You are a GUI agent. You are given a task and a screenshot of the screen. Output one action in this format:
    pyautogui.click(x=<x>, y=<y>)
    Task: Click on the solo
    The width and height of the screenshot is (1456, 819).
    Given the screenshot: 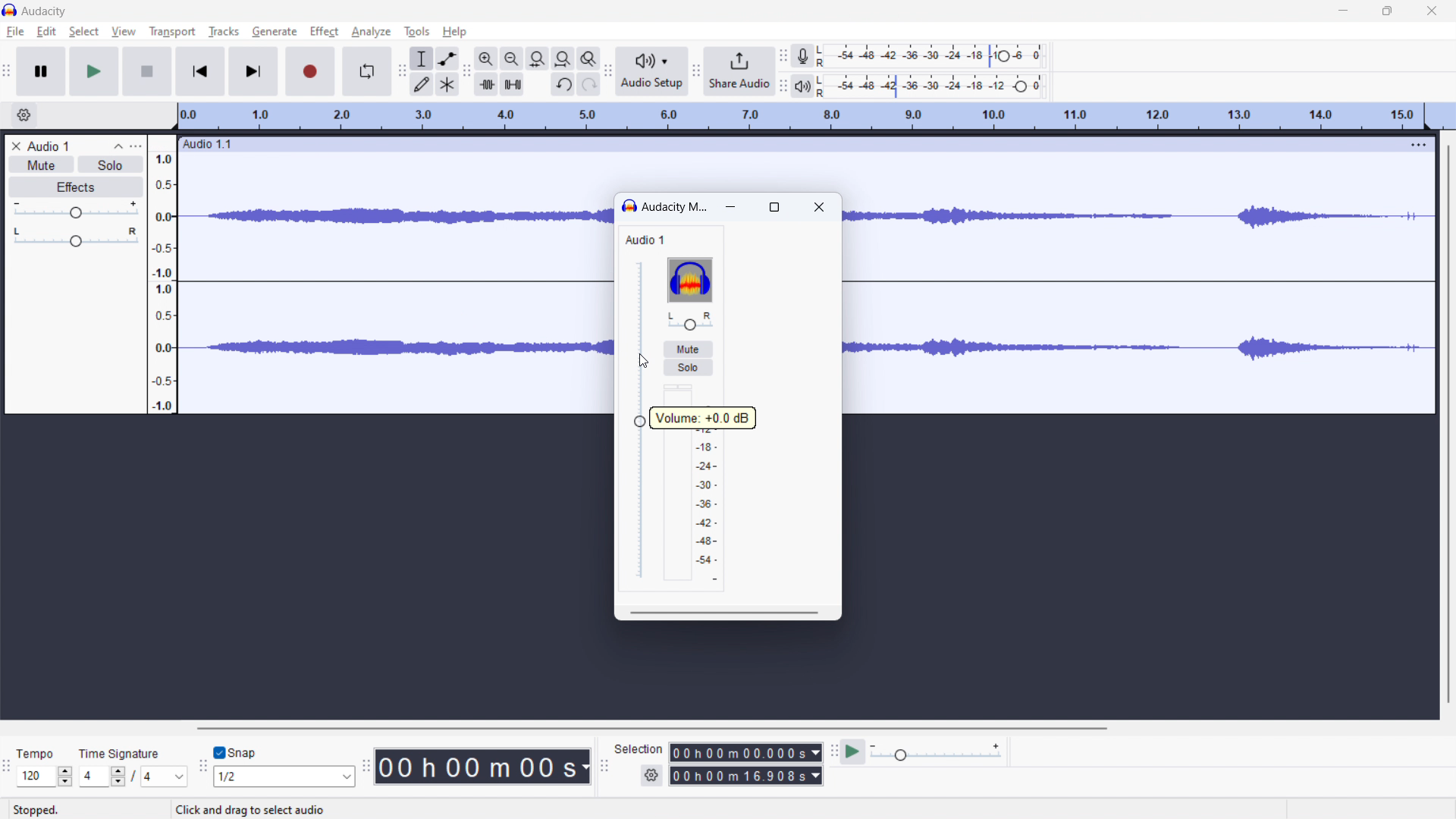 What is the action you would take?
    pyautogui.click(x=111, y=165)
    